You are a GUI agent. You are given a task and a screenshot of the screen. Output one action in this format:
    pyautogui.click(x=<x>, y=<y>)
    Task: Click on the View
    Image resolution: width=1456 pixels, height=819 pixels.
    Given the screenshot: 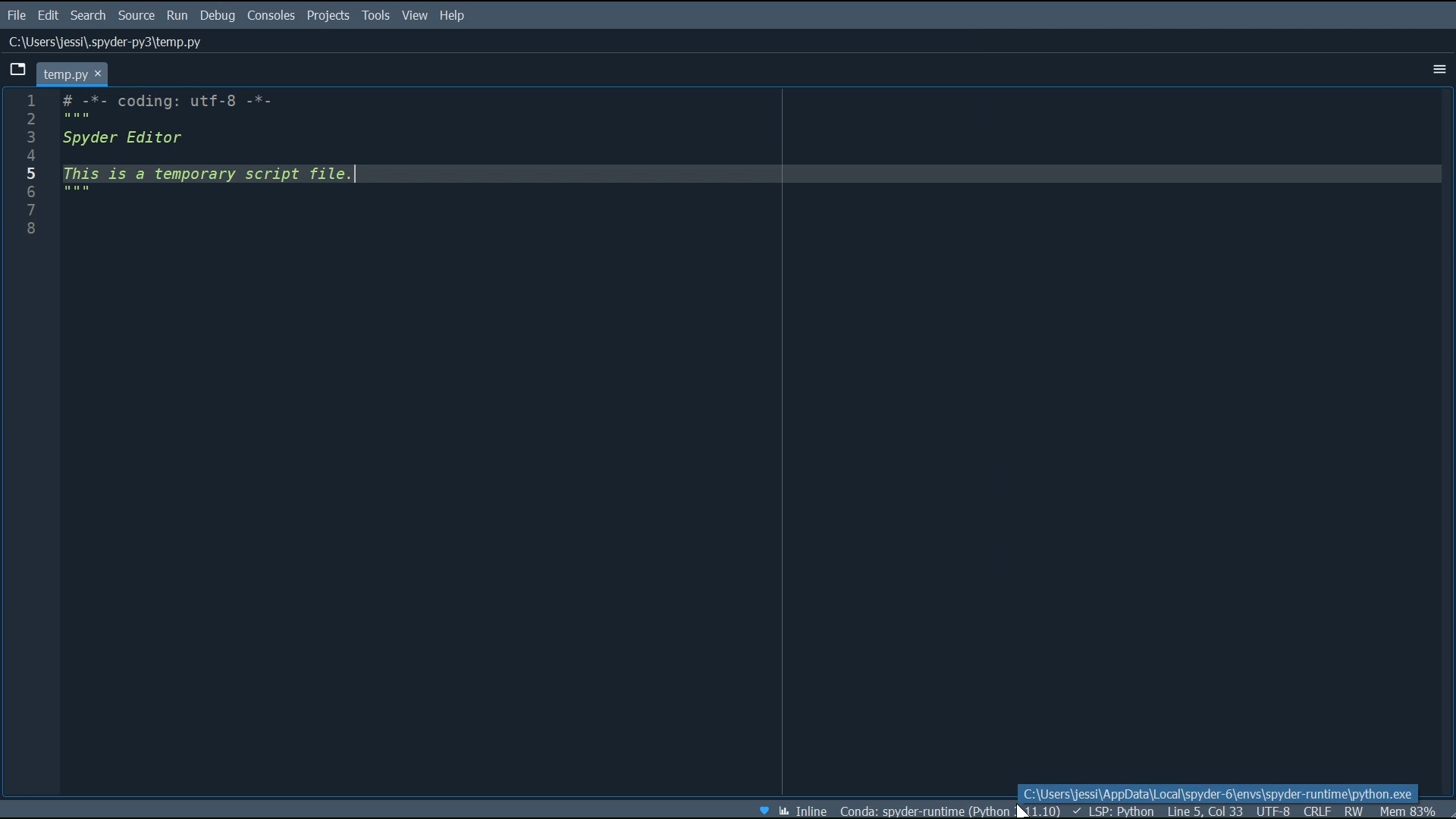 What is the action you would take?
    pyautogui.click(x=416, y=16)
    